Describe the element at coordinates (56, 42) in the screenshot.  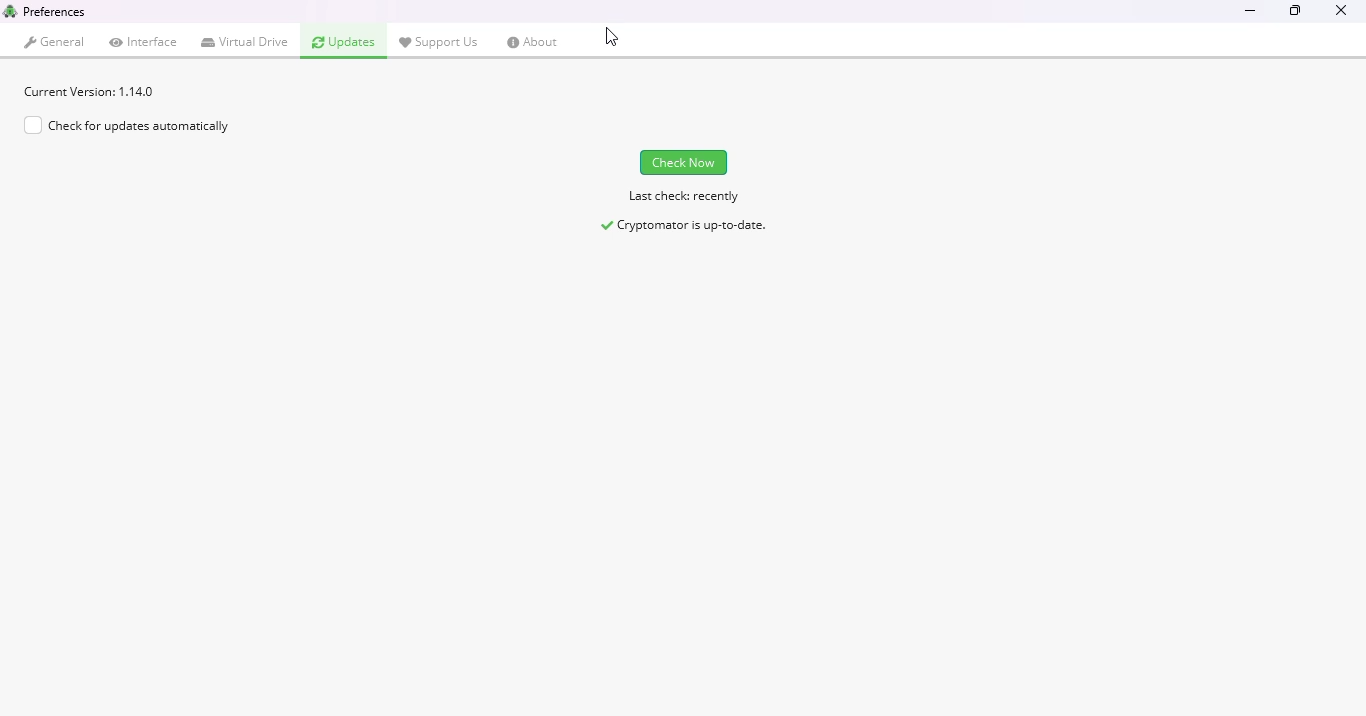
I see `general` at that location.